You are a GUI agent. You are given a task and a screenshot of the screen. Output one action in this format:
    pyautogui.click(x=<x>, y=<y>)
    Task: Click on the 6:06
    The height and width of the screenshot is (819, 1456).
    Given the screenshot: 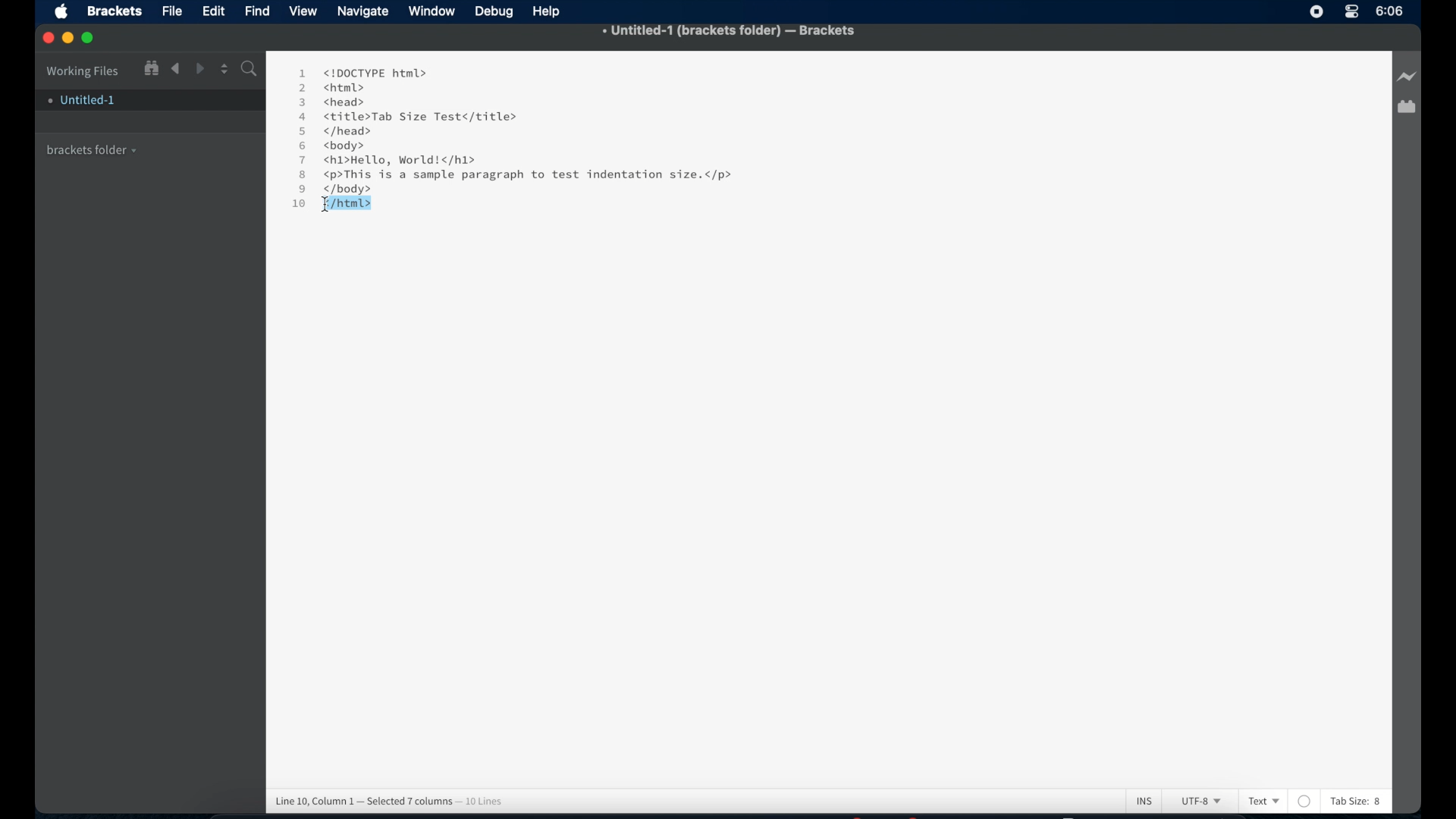 What is the action you would take?
    pyautogui.click(x=1390, y=11)
    